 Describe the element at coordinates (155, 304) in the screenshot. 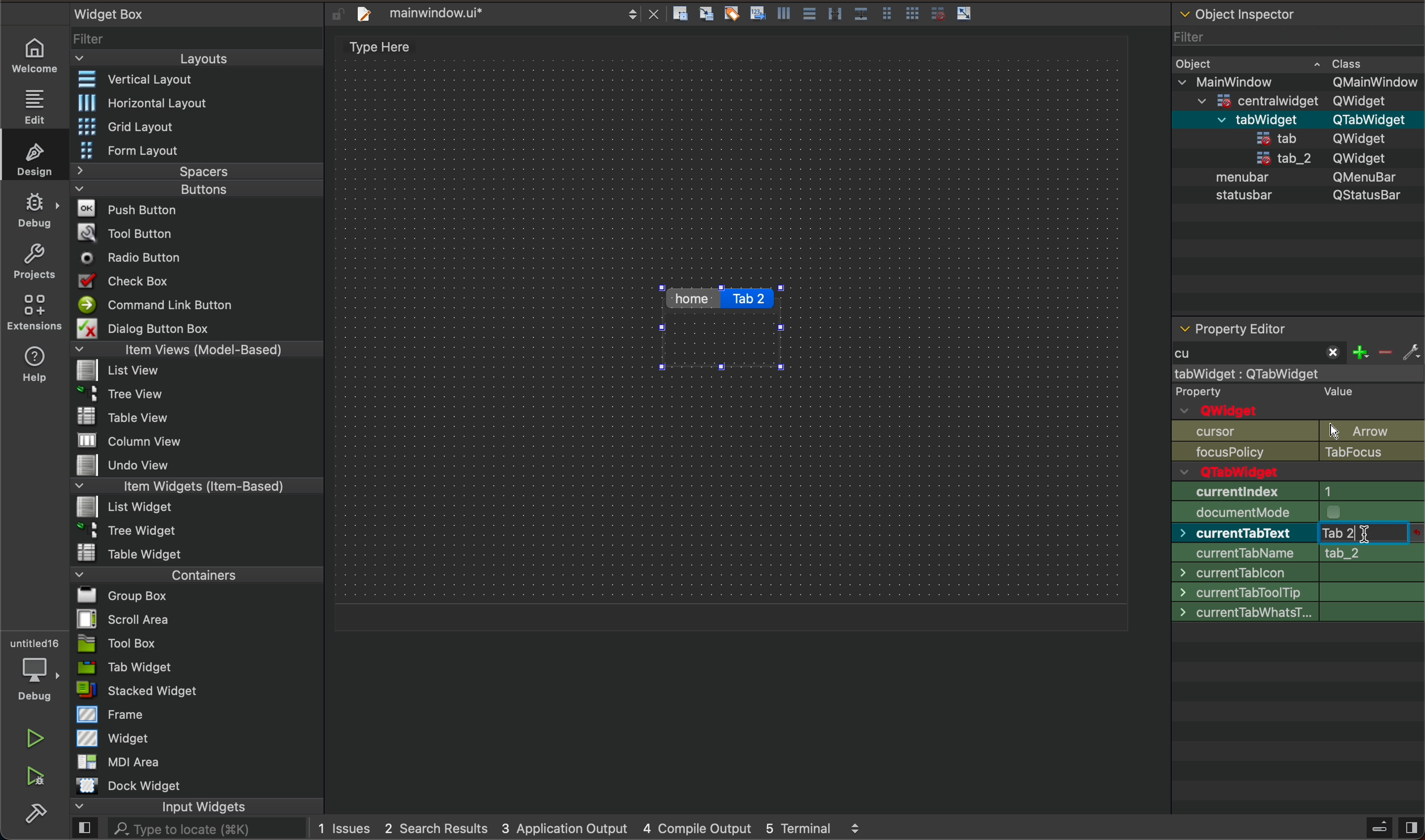

I see ` Command Link Button` at that location.